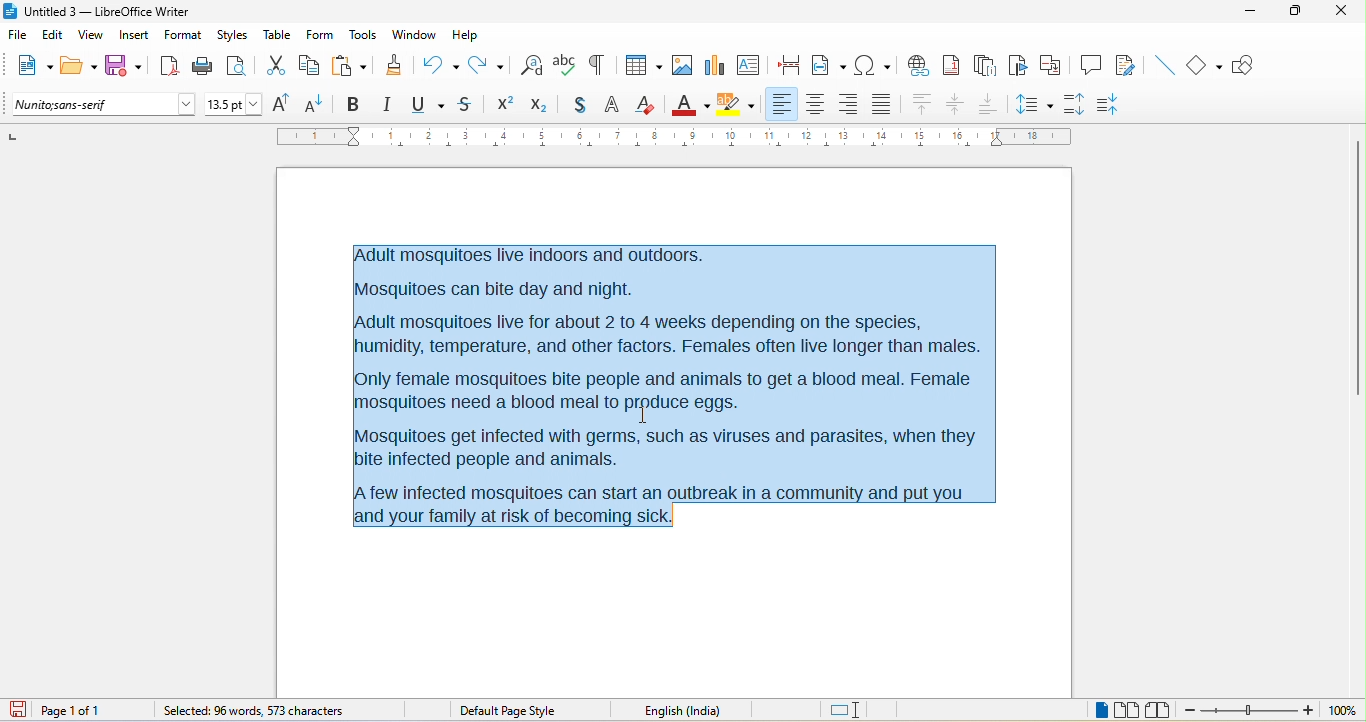  What do you see at coordinates (312, 65) in the screenshot?
I see `copy` at bounding box center [312, 65].